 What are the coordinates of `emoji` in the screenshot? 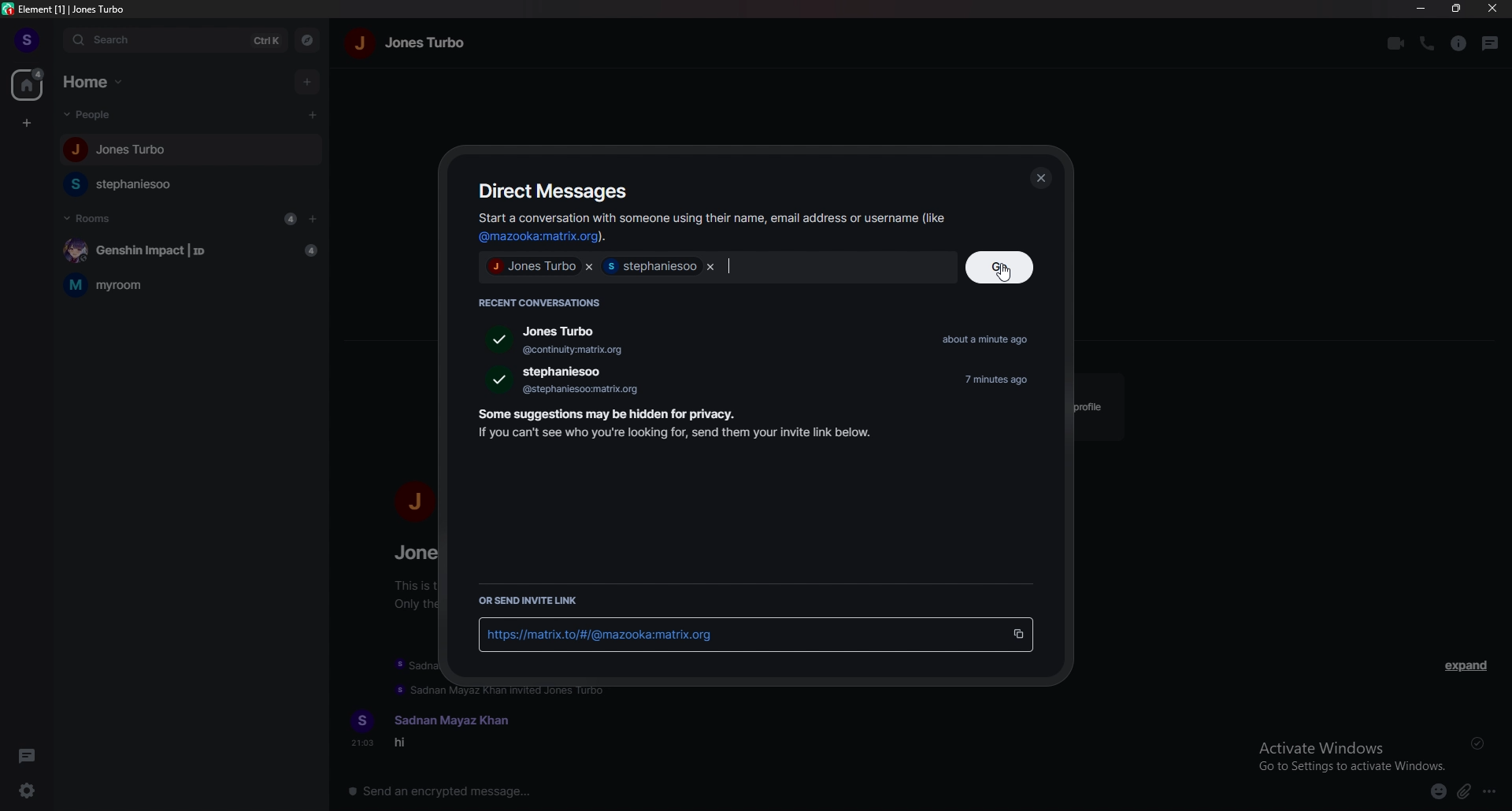 It's located at (1438, 792).